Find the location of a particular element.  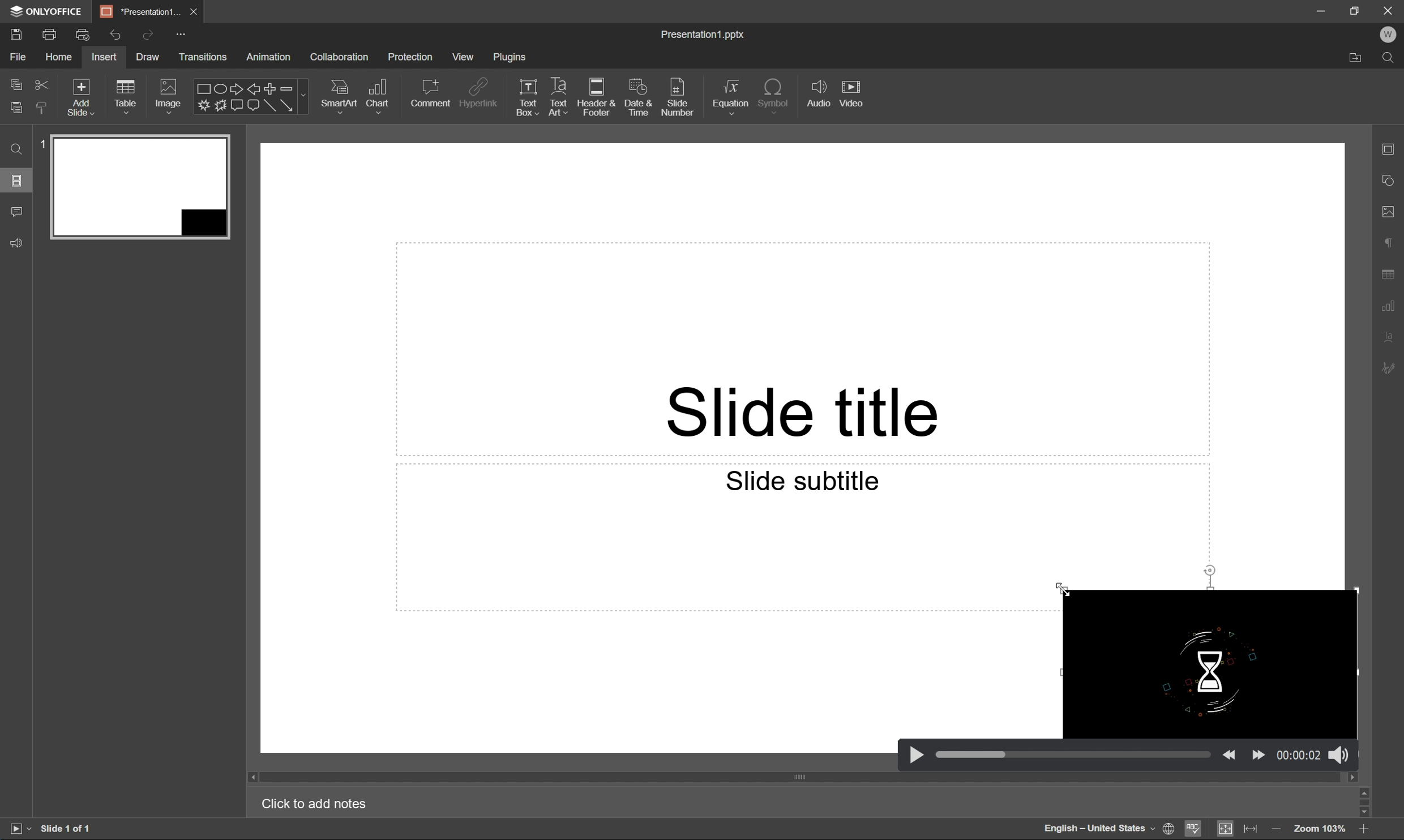

cut is located at coordinates (43, 83).